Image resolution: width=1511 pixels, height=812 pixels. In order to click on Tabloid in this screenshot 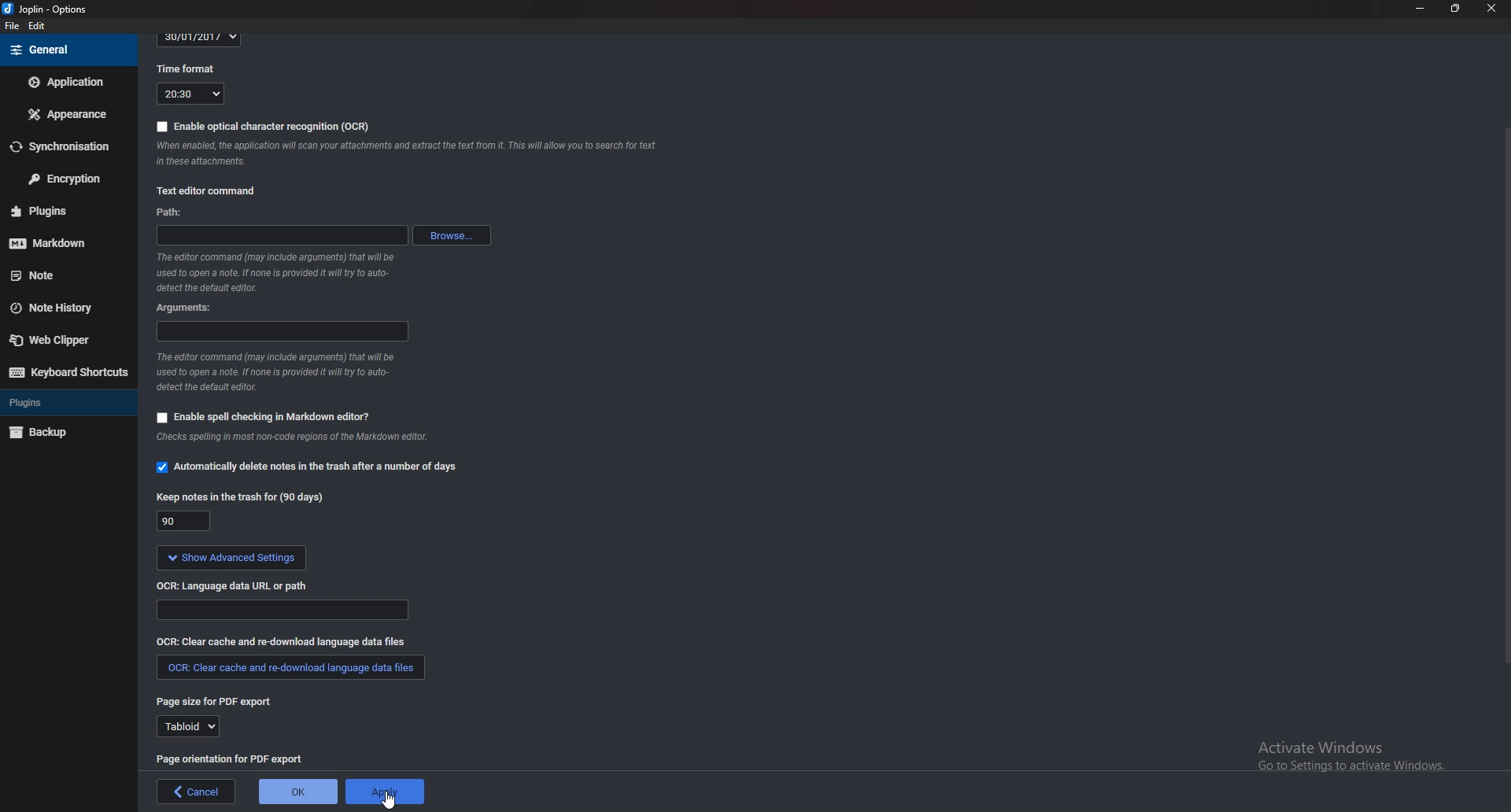, I will do `click(185, 727)`.